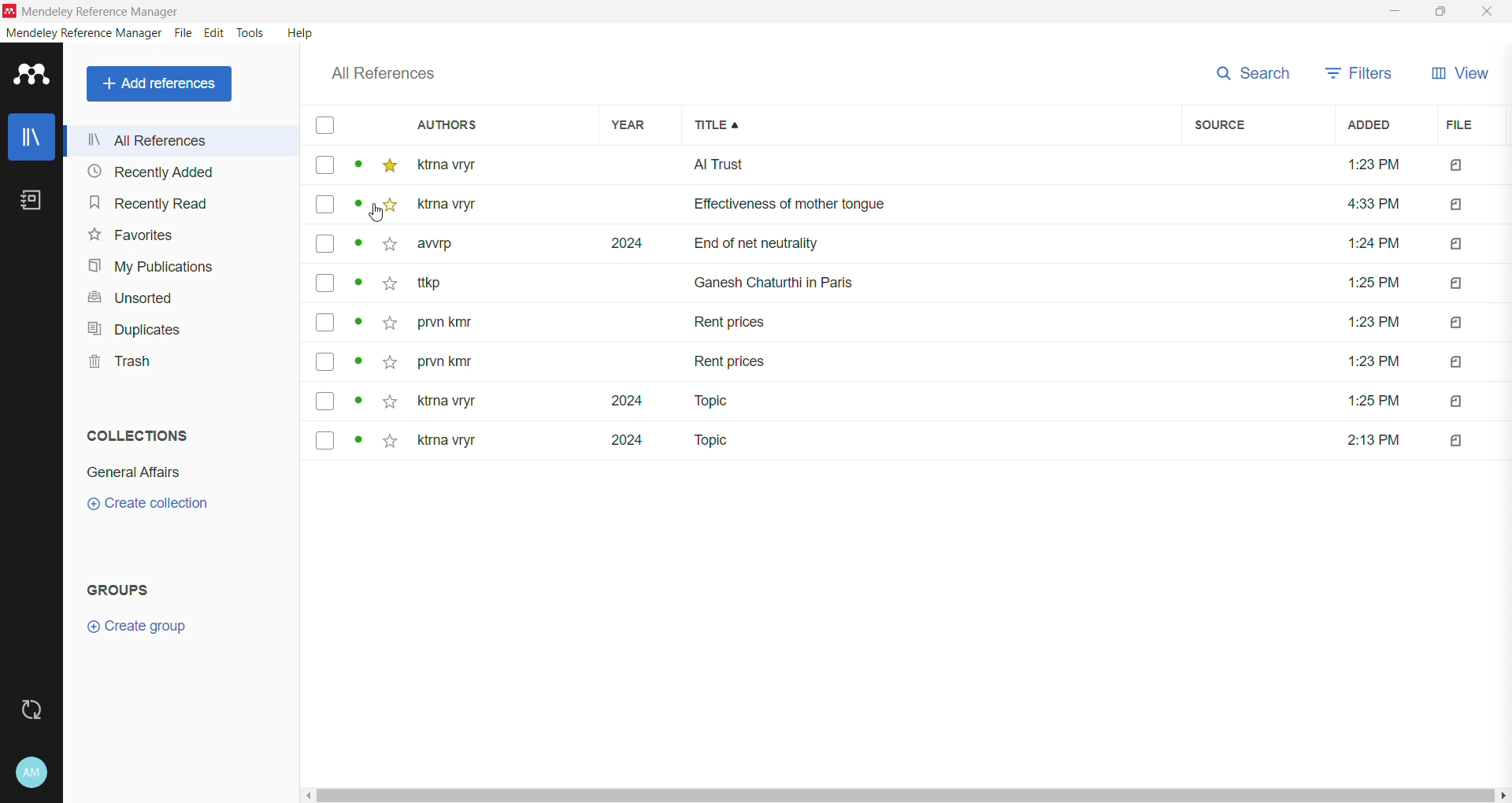 The image size is (1512, 803). I want to click on 2024, so click(613, 401).